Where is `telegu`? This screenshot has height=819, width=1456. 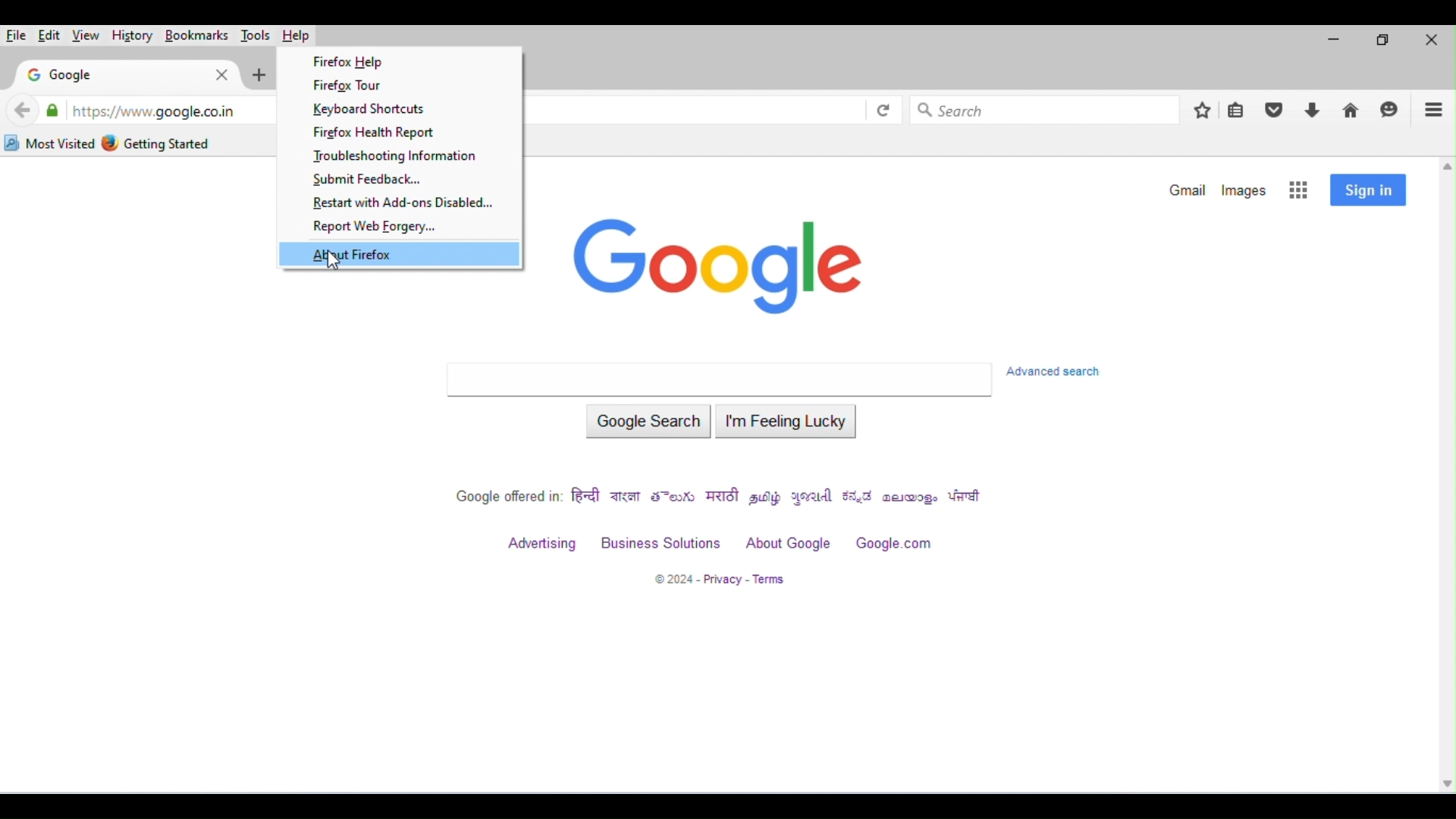
telegu is located at coordinates (675, 497).